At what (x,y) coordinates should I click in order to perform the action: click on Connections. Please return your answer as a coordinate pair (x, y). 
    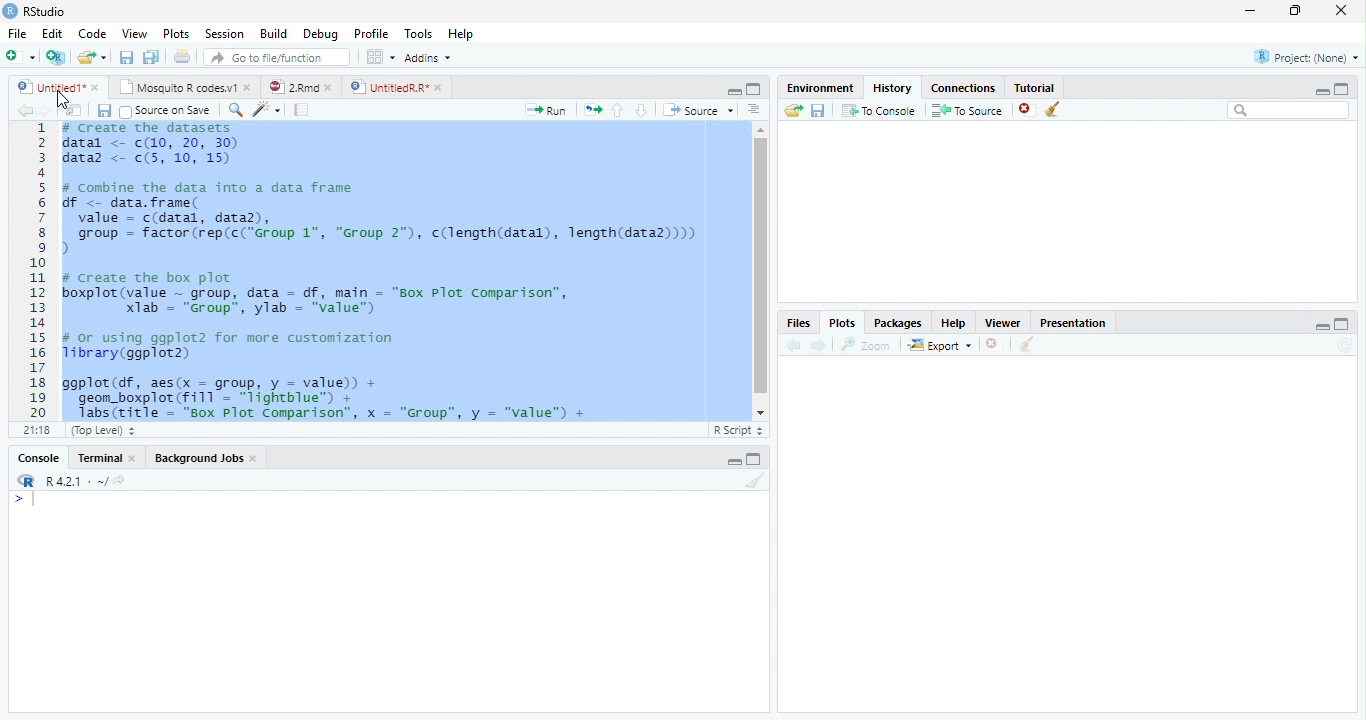
    Looking at the image, I should click on (963, 88).